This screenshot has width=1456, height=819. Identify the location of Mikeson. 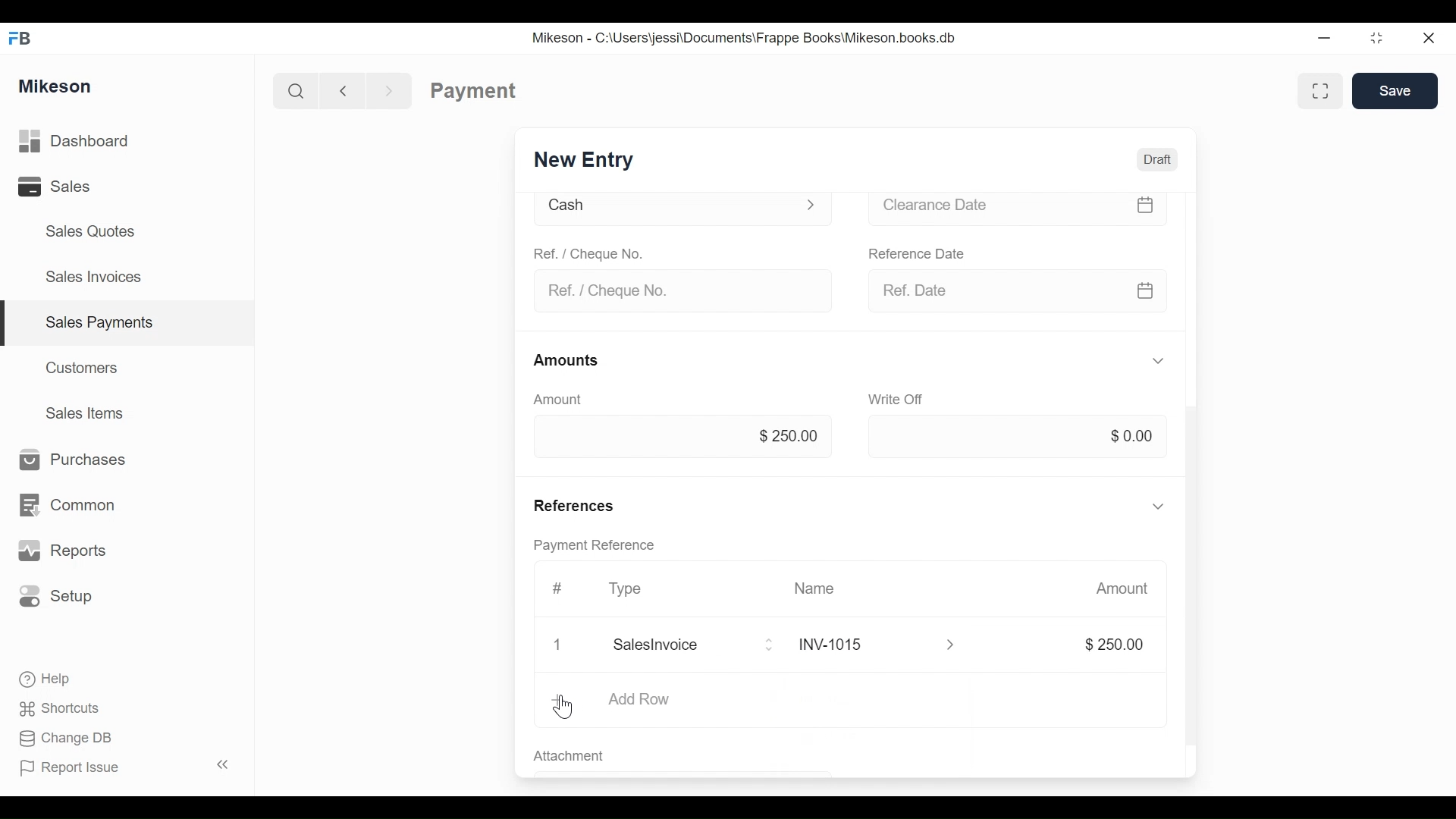
(56, 84).